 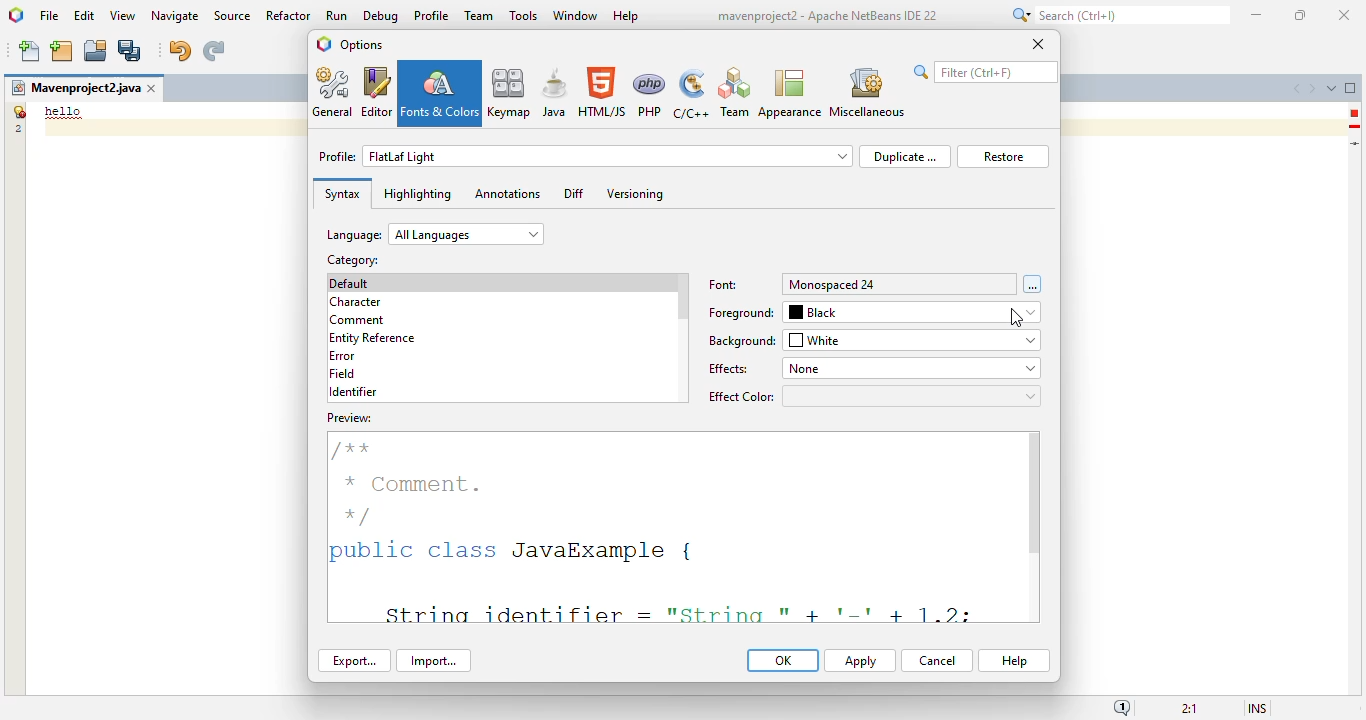 I want to click on effects: , so click(x=730, y=369).